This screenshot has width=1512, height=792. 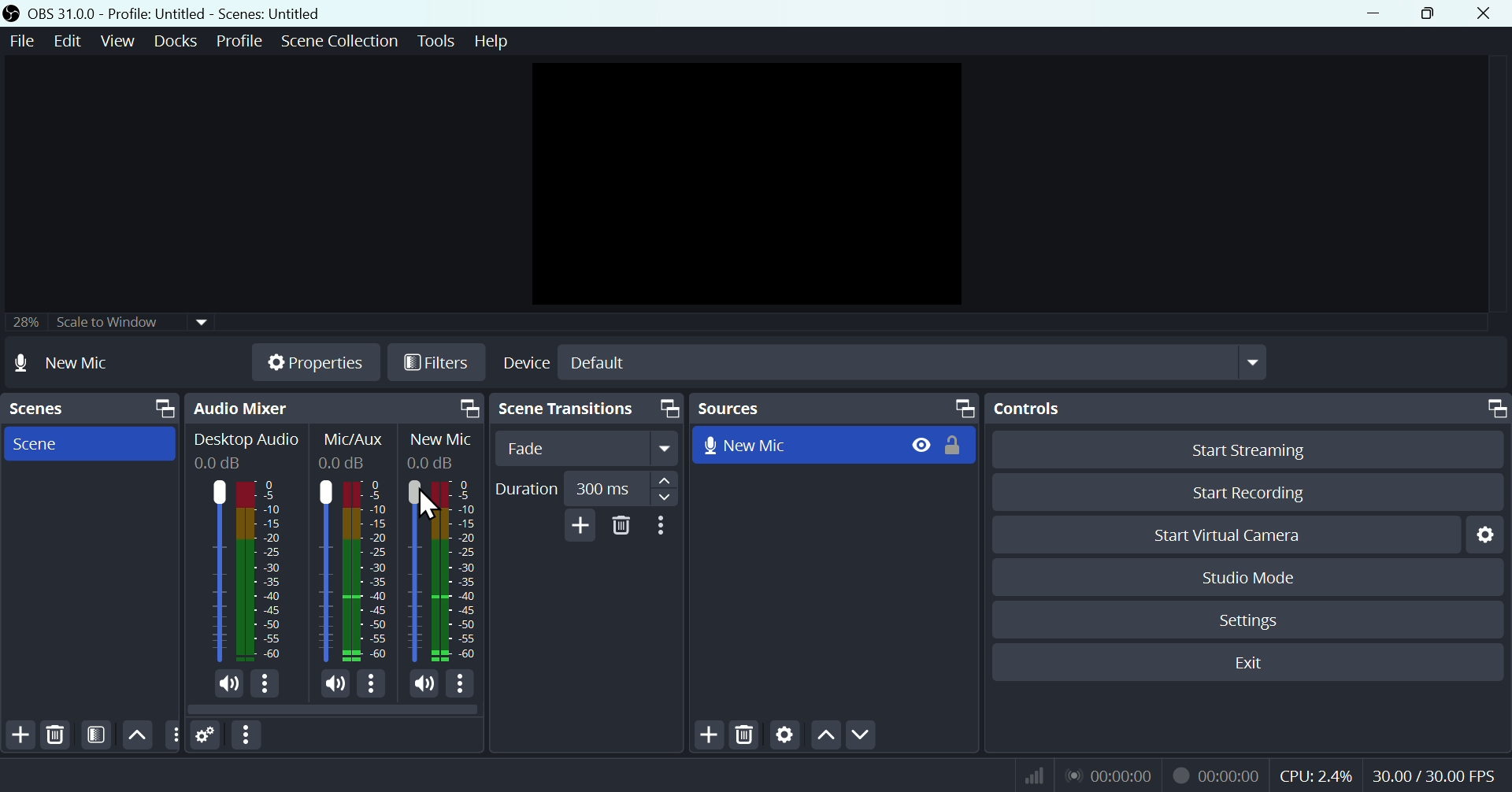 I want to click on Controls, so click(x=1251, y=409).